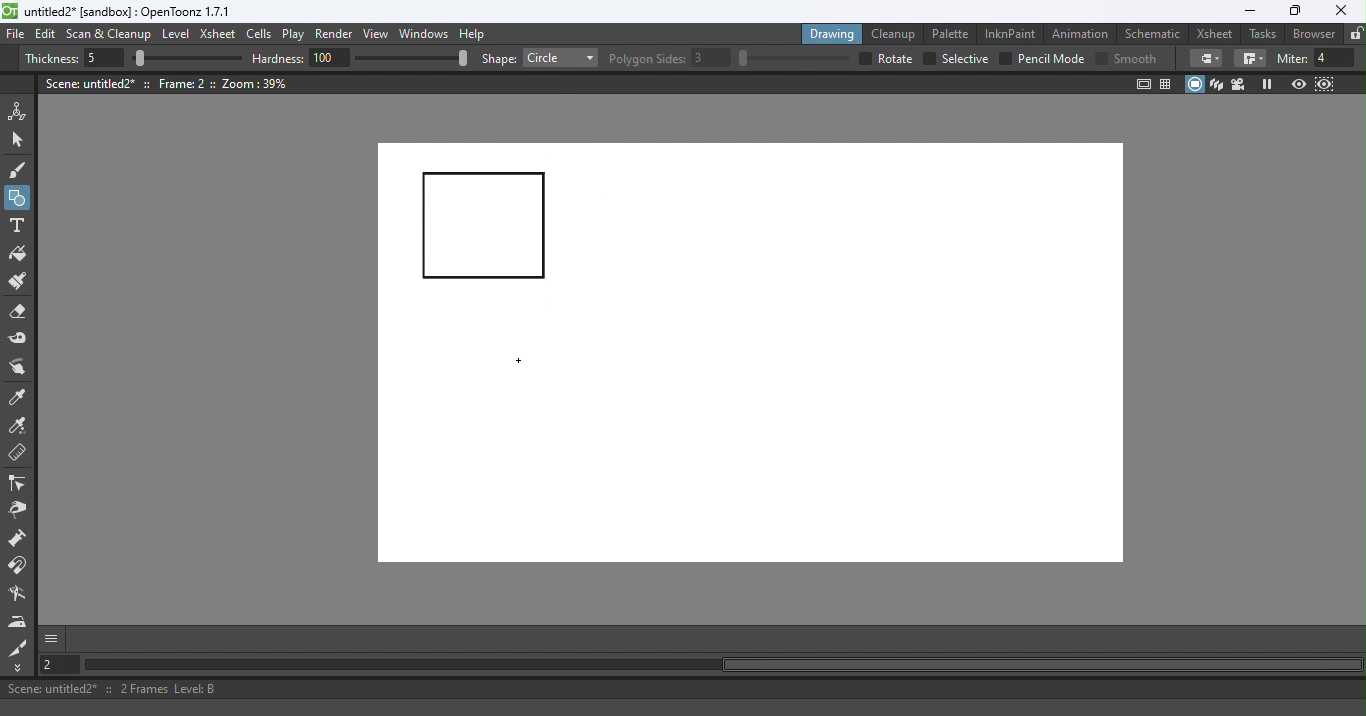 Image resolution: width=1366 pixels, height=716 pixels. What do you see at coordinates (1005, 58) in the screenshot?
I see `checkbox` at bounding box center [1005, 58].